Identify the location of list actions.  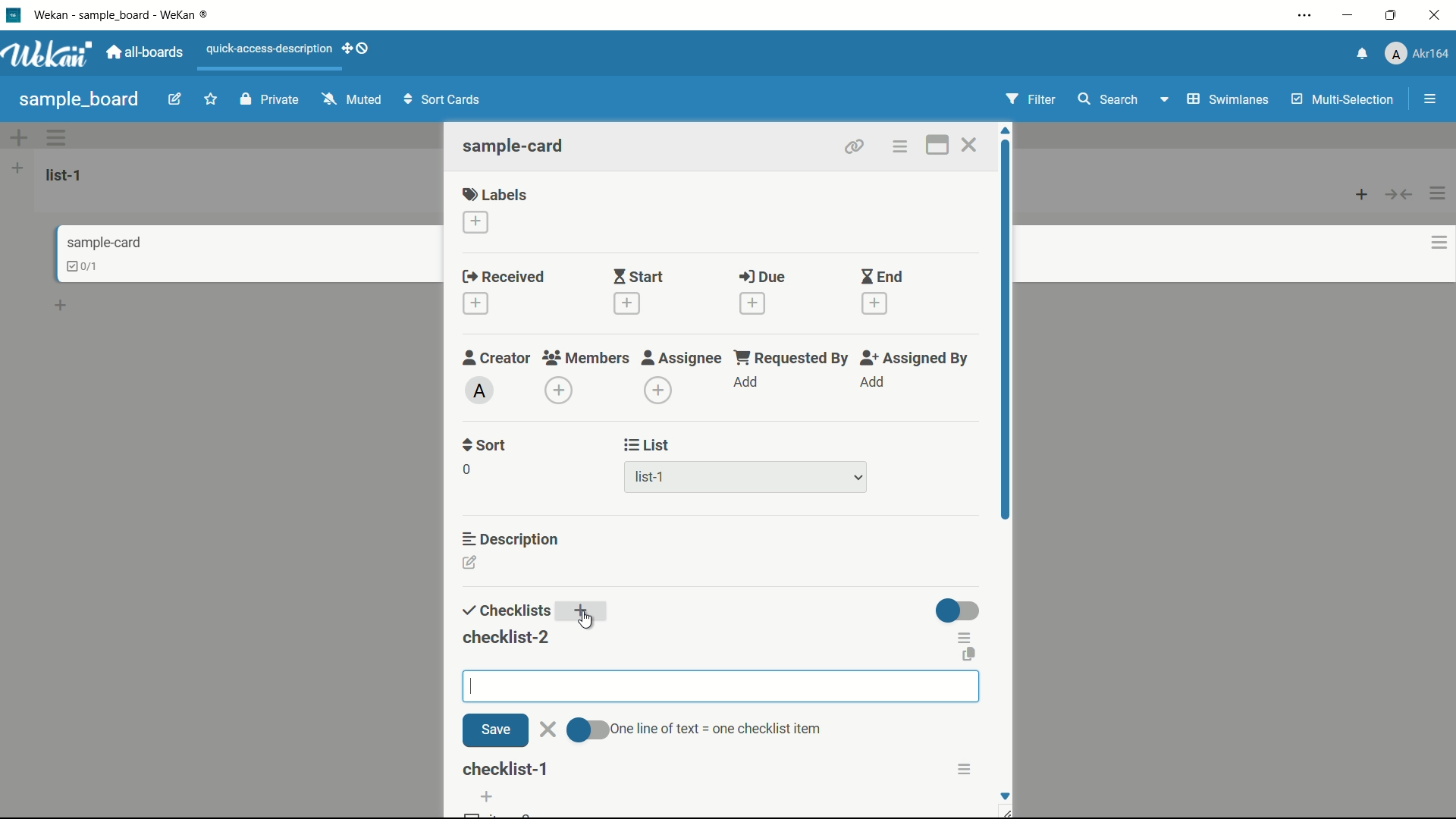
(1439, 193).